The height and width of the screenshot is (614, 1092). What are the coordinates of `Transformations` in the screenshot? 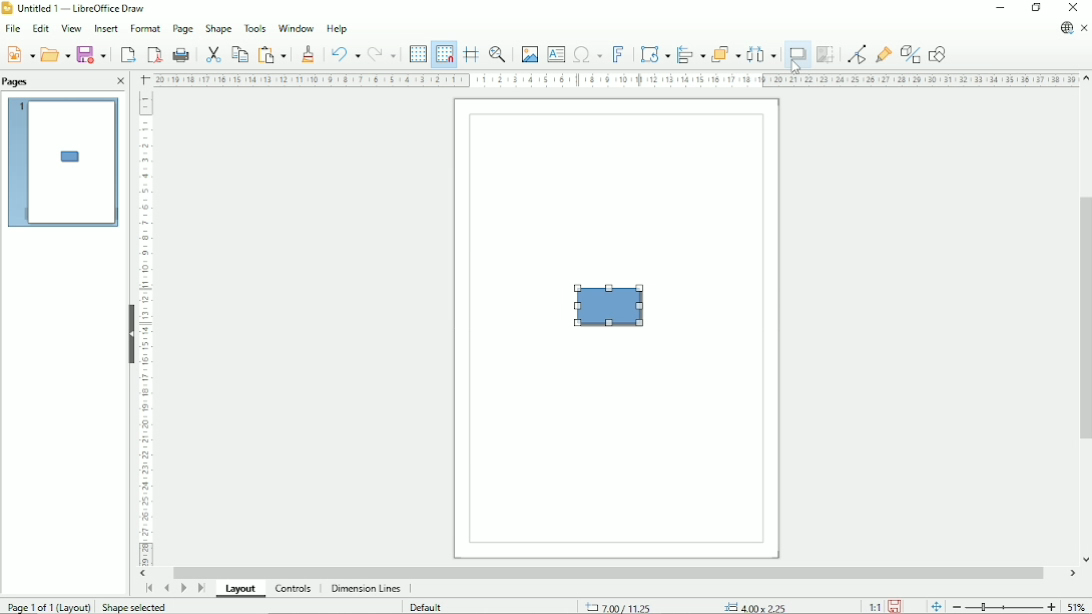 It's located at (653, 54).